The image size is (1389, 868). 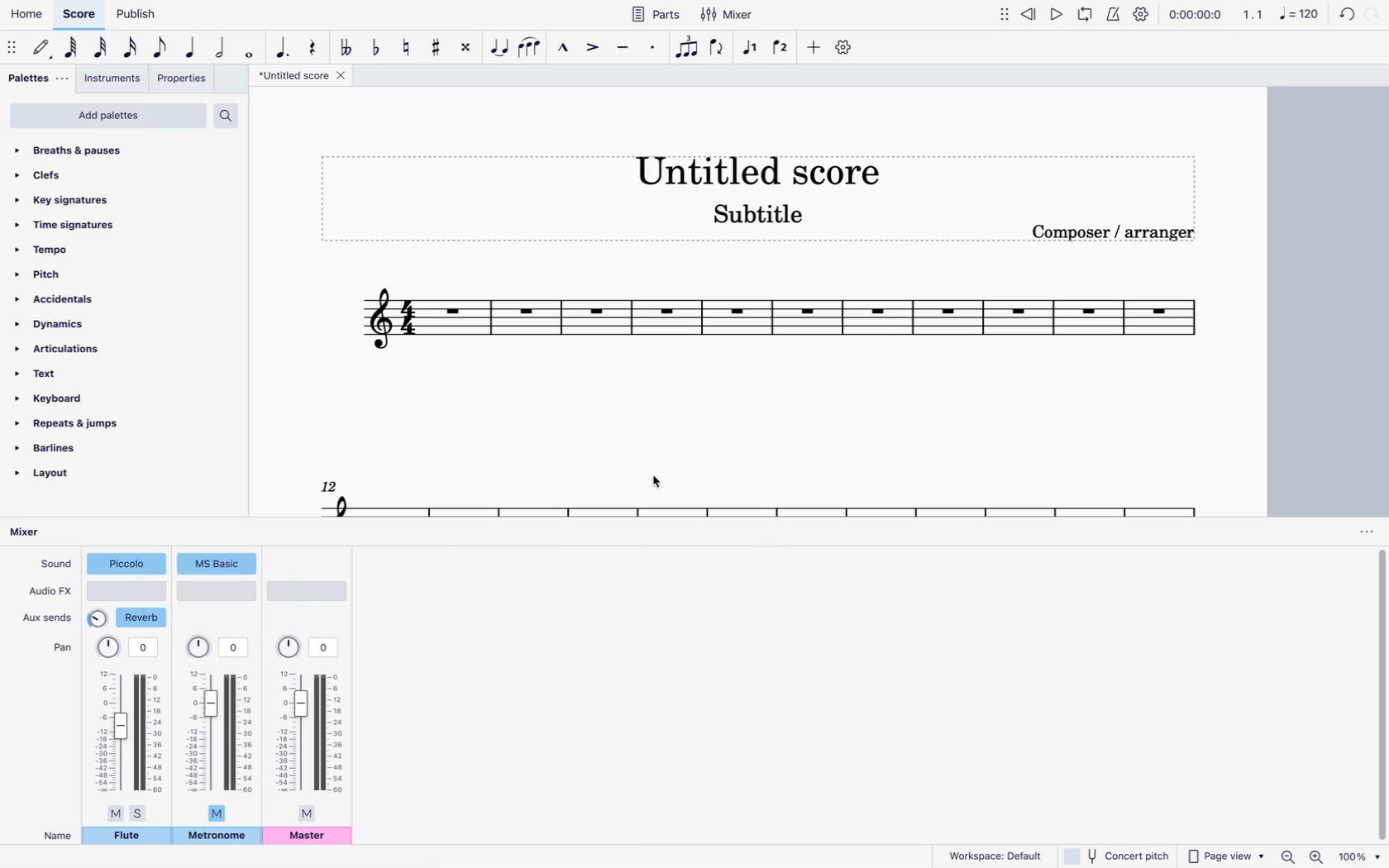 I want to click on toggle flat, so click(x=376, y=46).